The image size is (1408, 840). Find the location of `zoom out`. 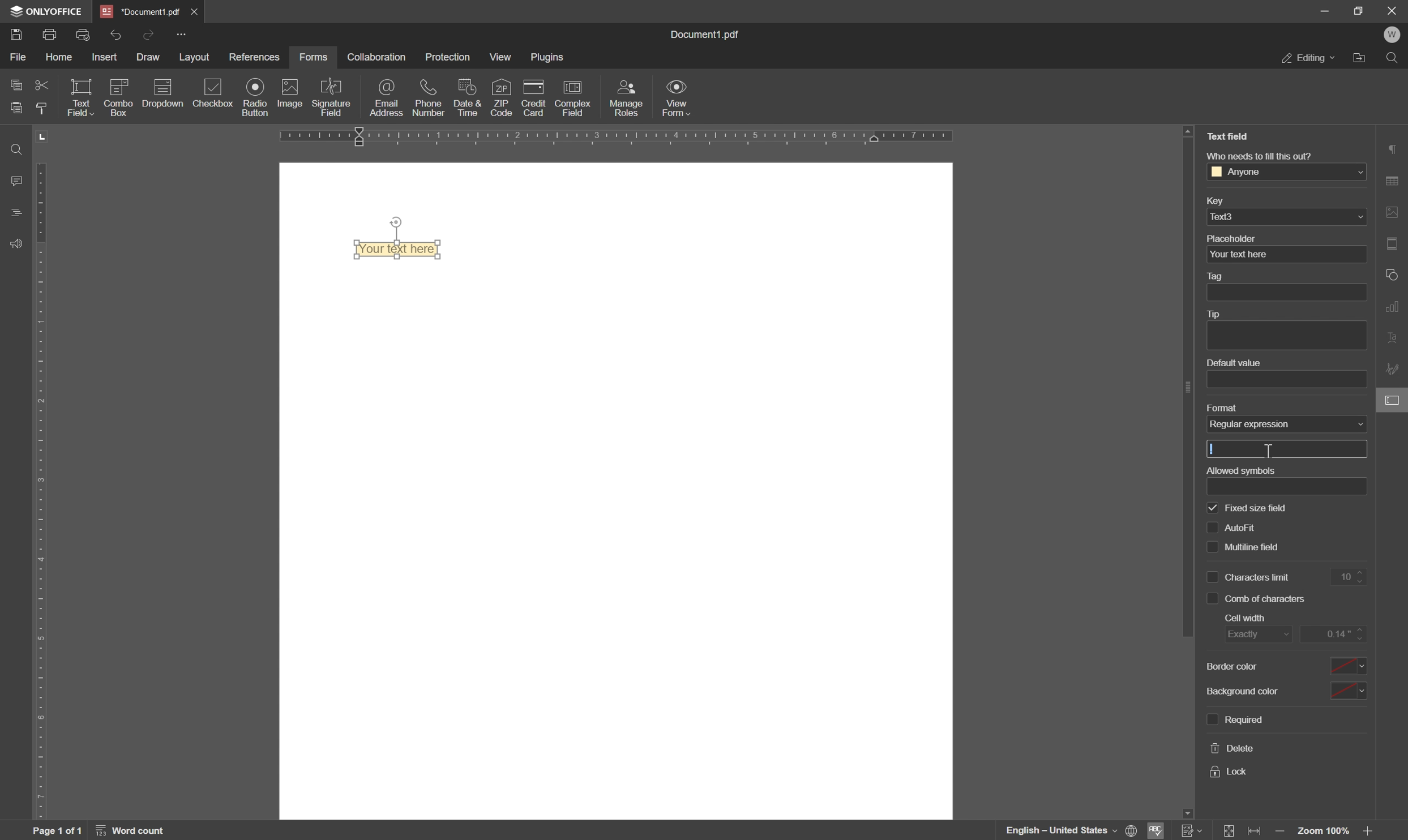

zoom out is located at coordinates (1281, 832).